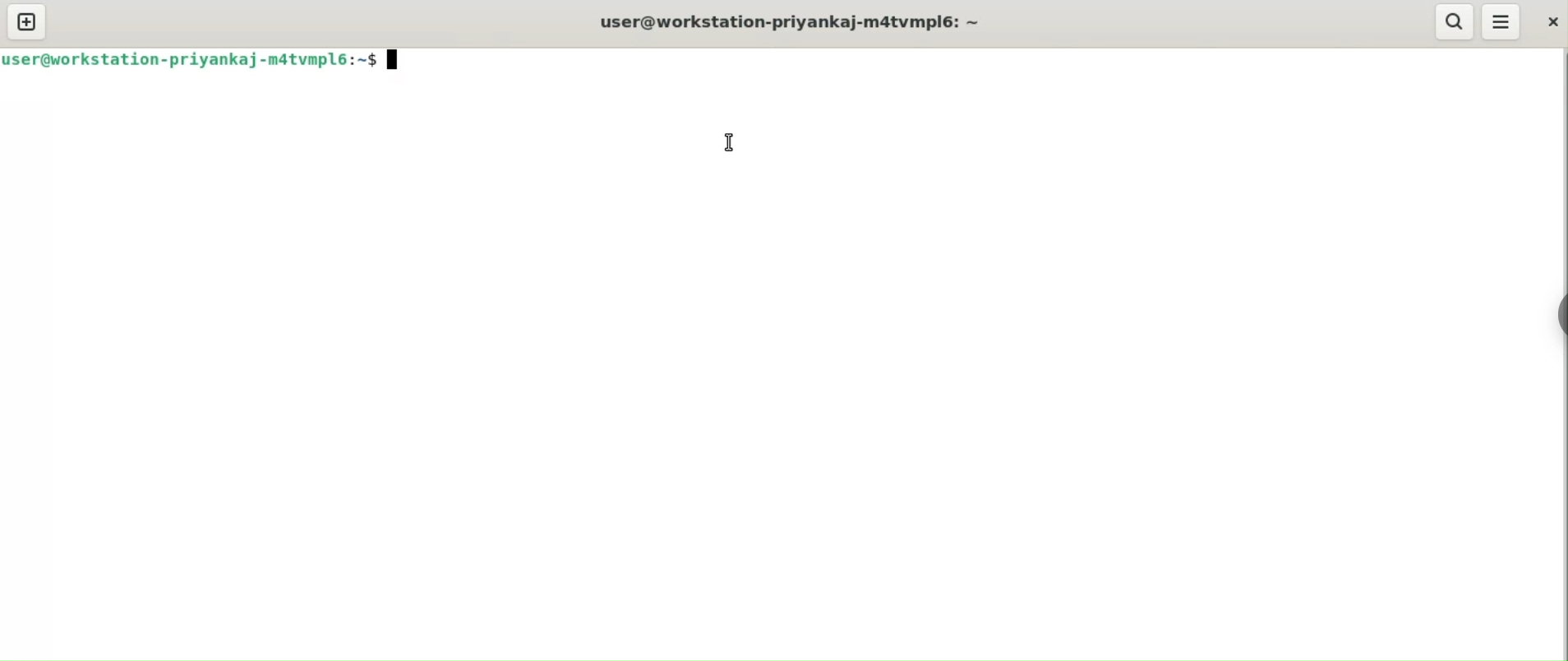  What do you see at coordinates (26, 21) in the screenshot?
I see `new tab` at bounding box center [26, 21].